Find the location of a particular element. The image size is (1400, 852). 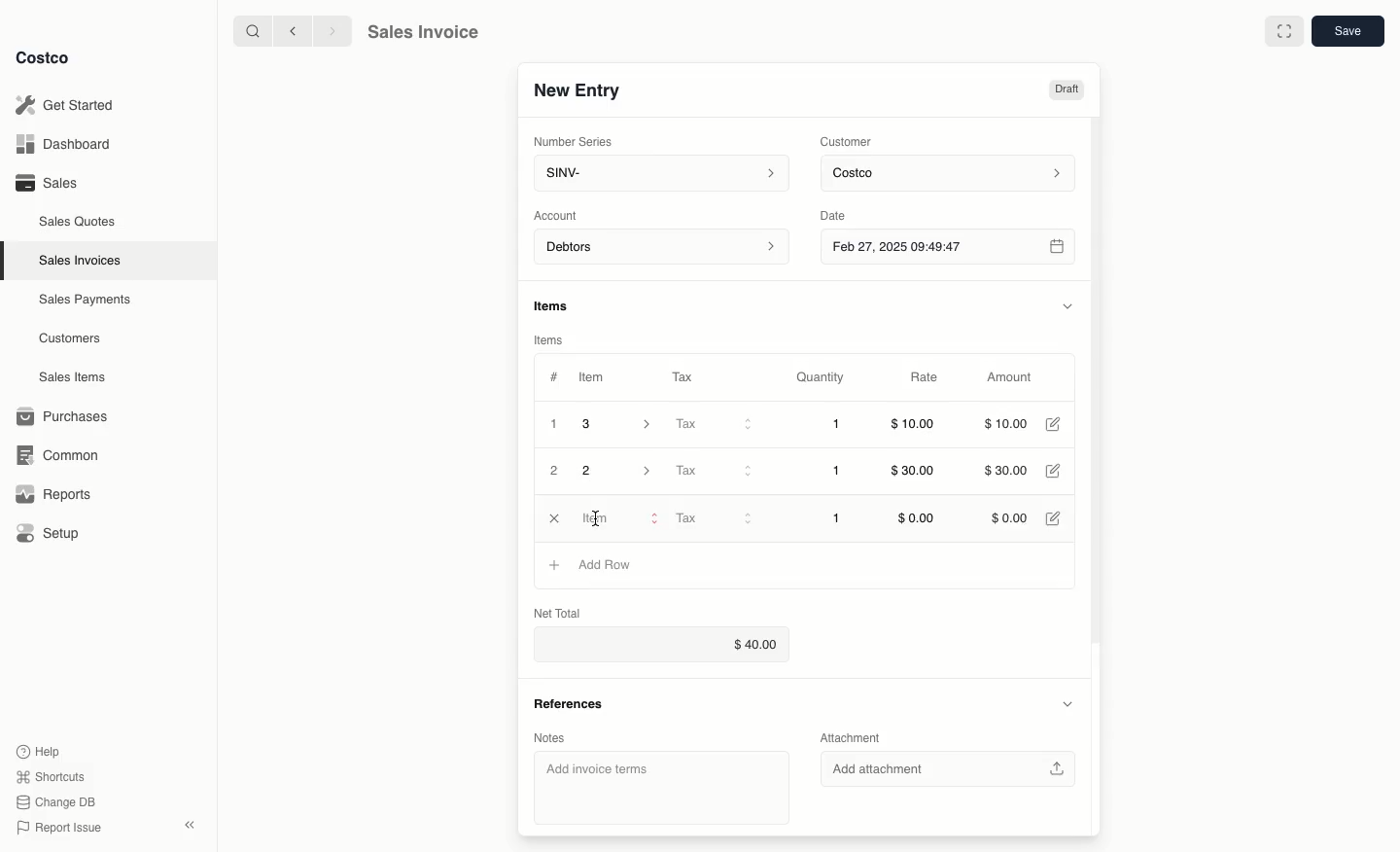

Setup is located at coordinates (50, 535).